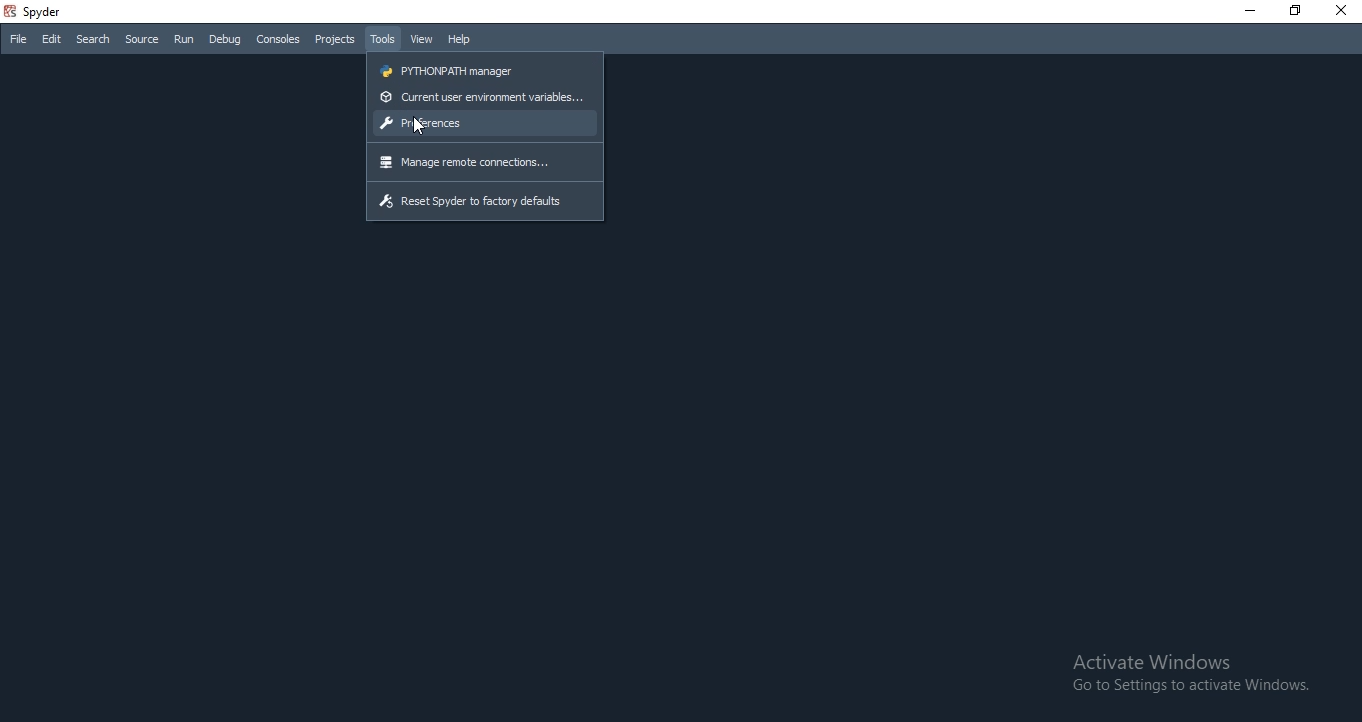 The width and height of the screenshot is (1362, 722). I want to click on preferences, so click(484, 126).